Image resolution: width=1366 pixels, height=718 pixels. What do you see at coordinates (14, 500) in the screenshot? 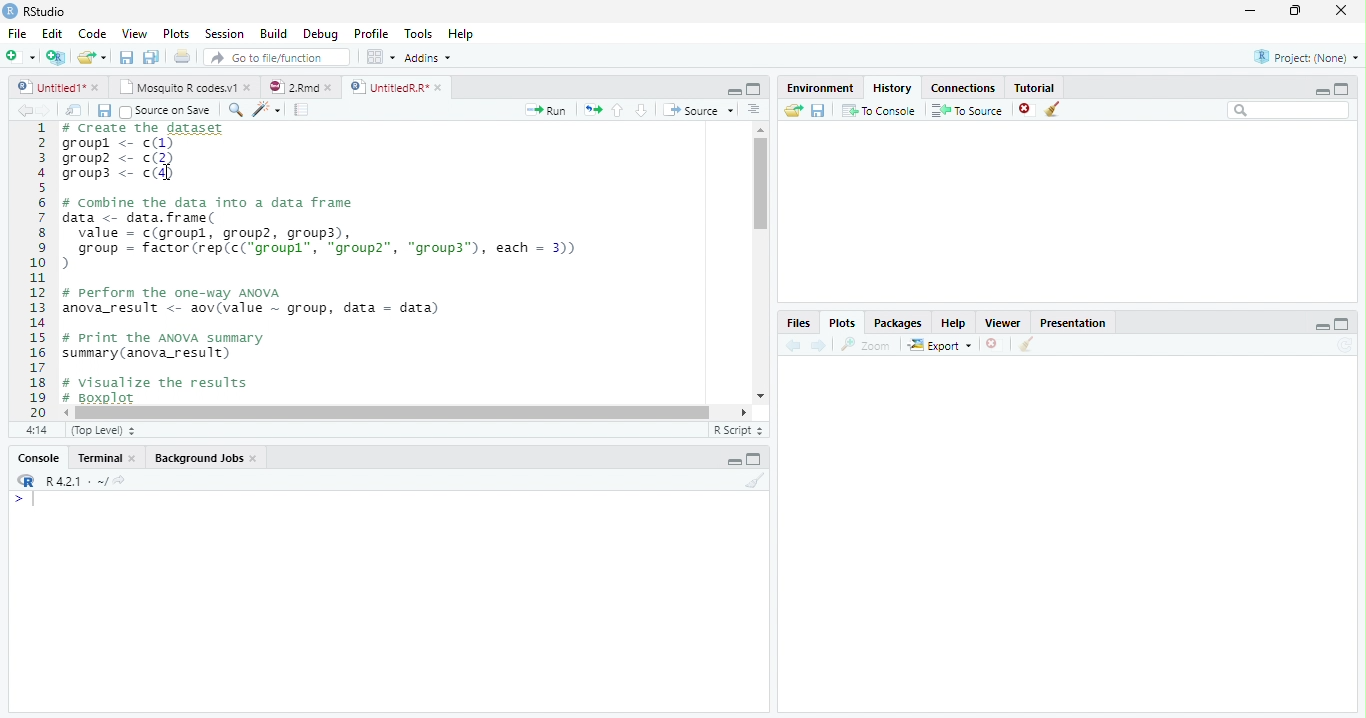
I see `>` at bounding box center [14, 500].